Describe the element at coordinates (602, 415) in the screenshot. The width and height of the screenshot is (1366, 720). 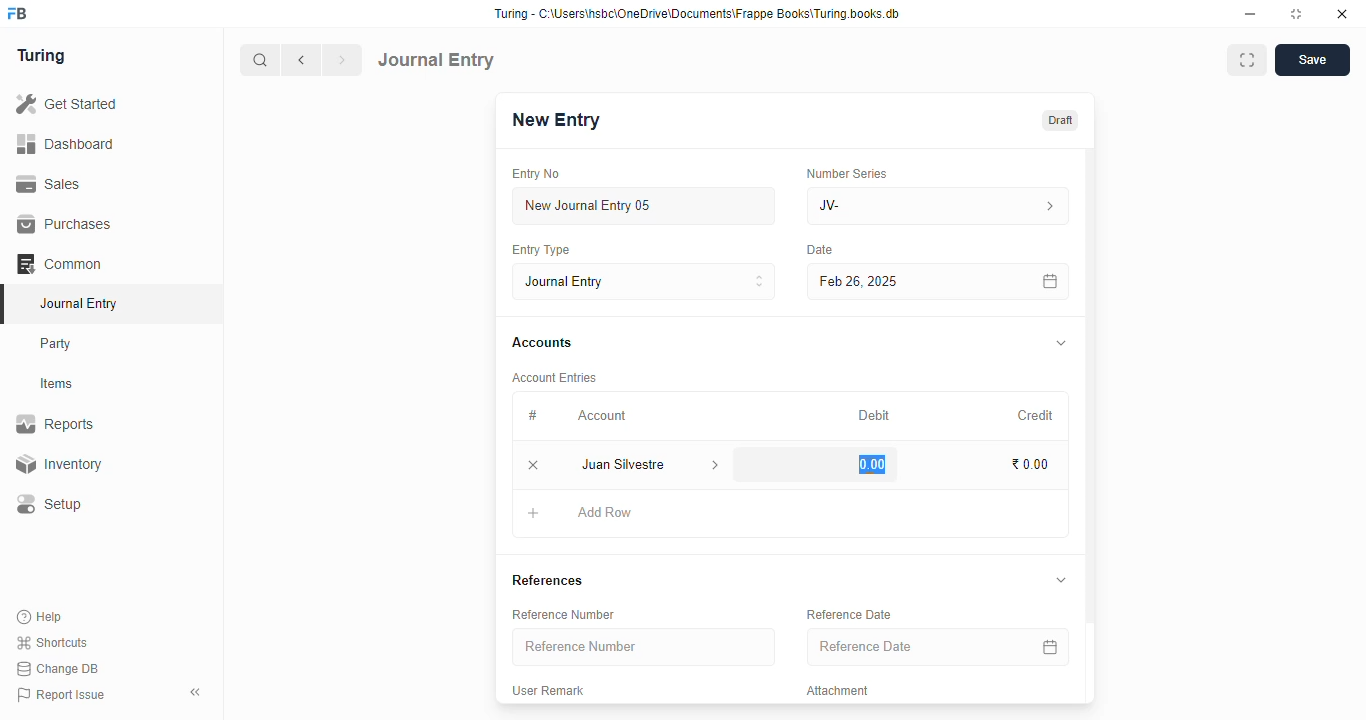
I see `account` at that location.